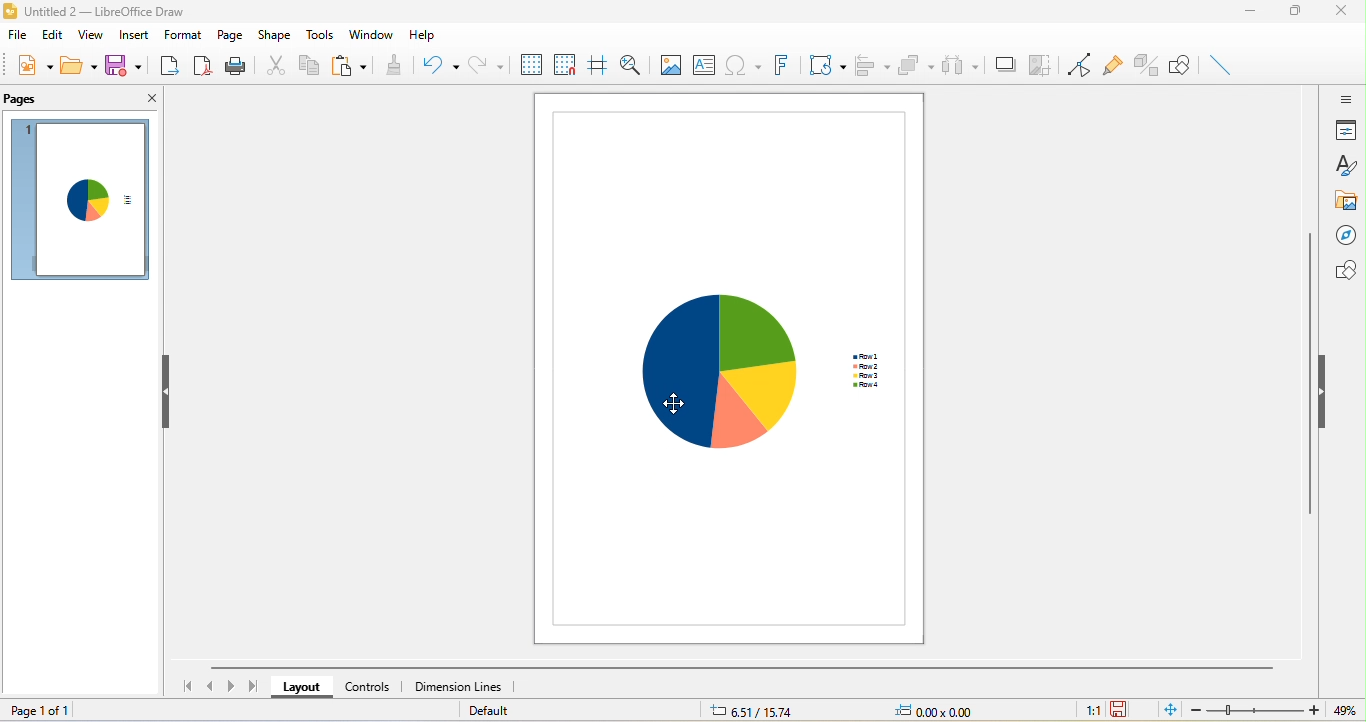 The width and height of the screenshot is (1366, 722). What do you see at coordinates (371, 686) in the screenshot?
I see `controls` at bounding box center [371, 686].